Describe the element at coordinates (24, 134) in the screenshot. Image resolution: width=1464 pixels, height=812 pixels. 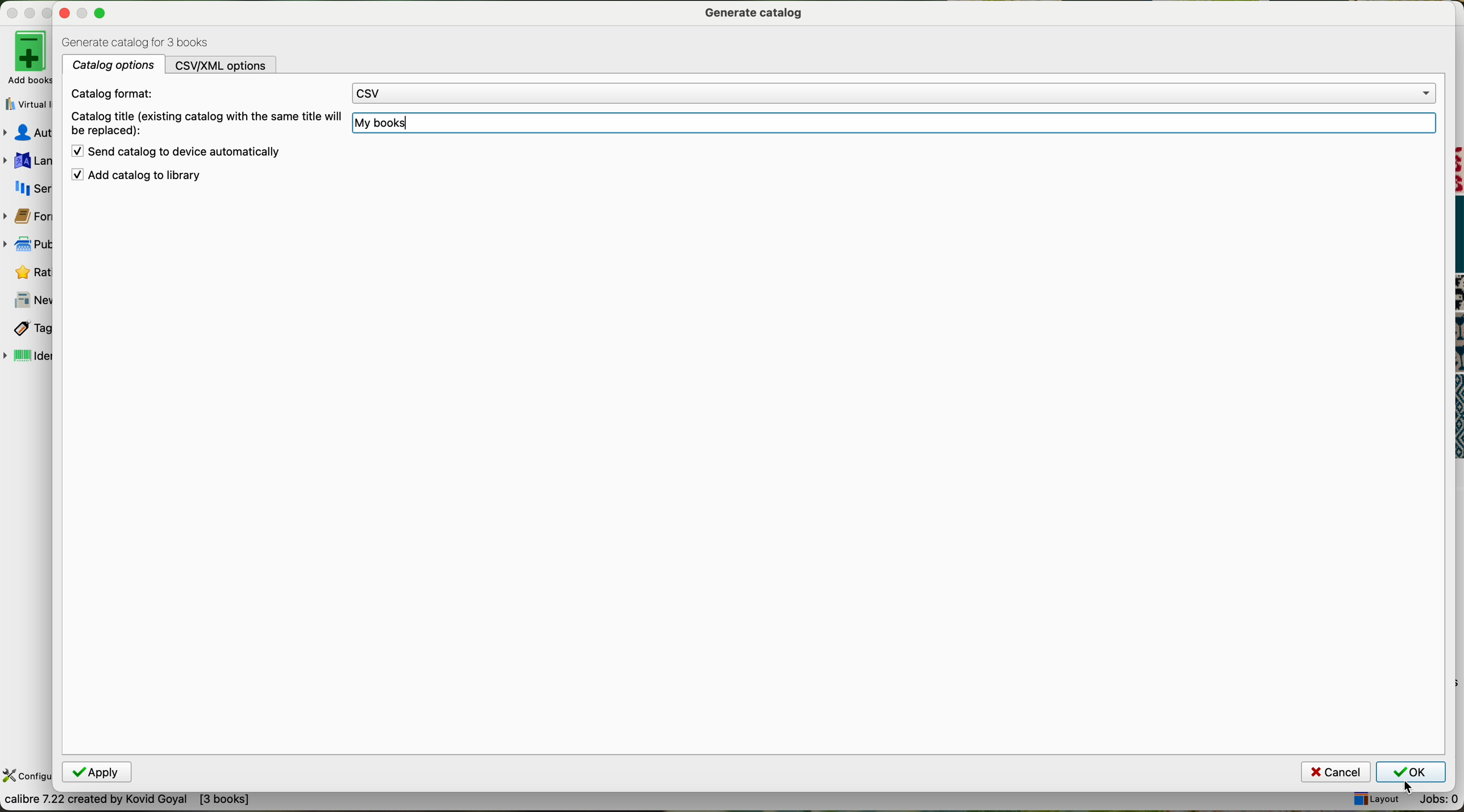
I see `authors` at that location.